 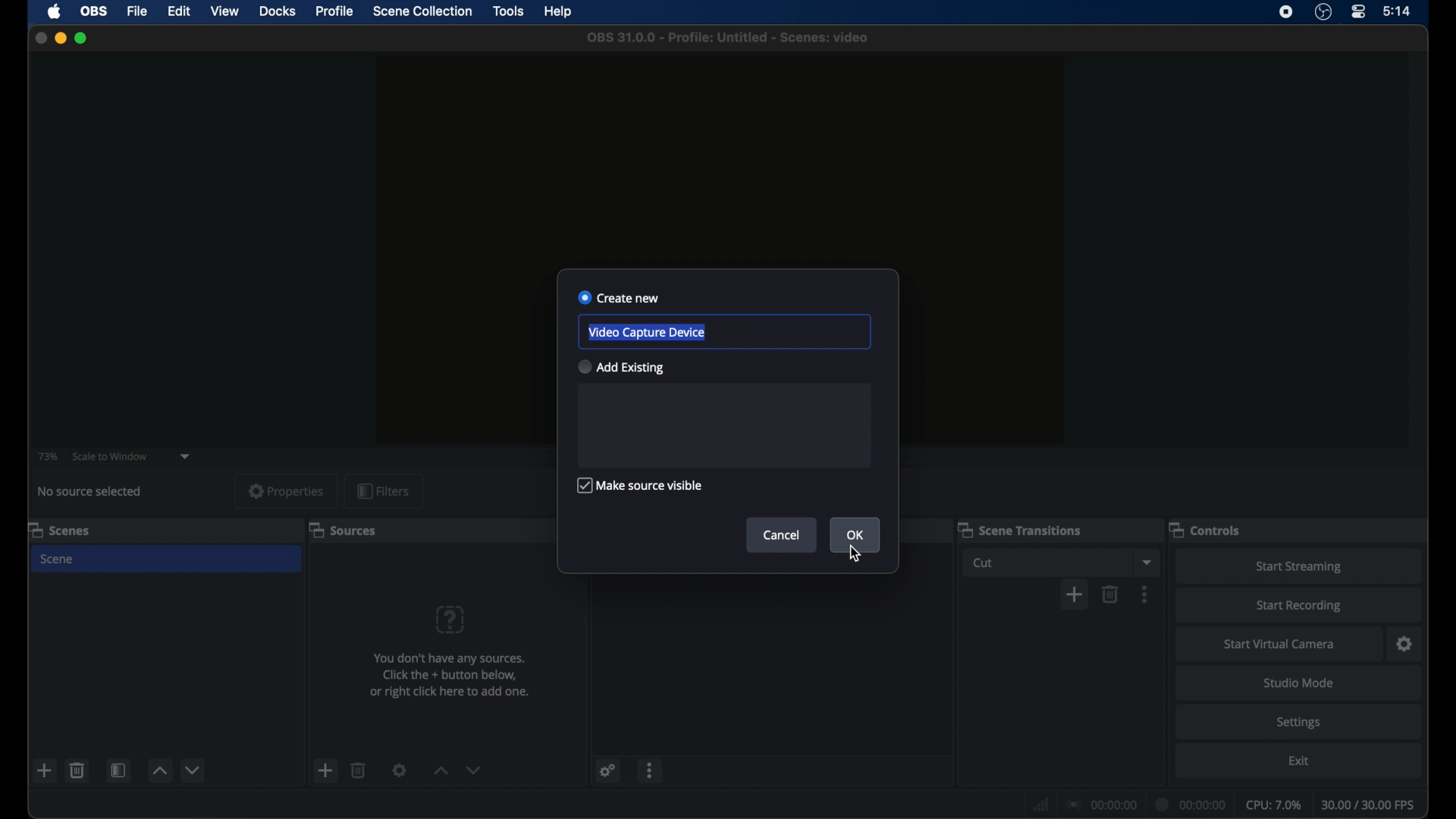 What do you see at coordinates (783, 535) in the screenshot?
I see `cancel` at bounding box center [783, 535].